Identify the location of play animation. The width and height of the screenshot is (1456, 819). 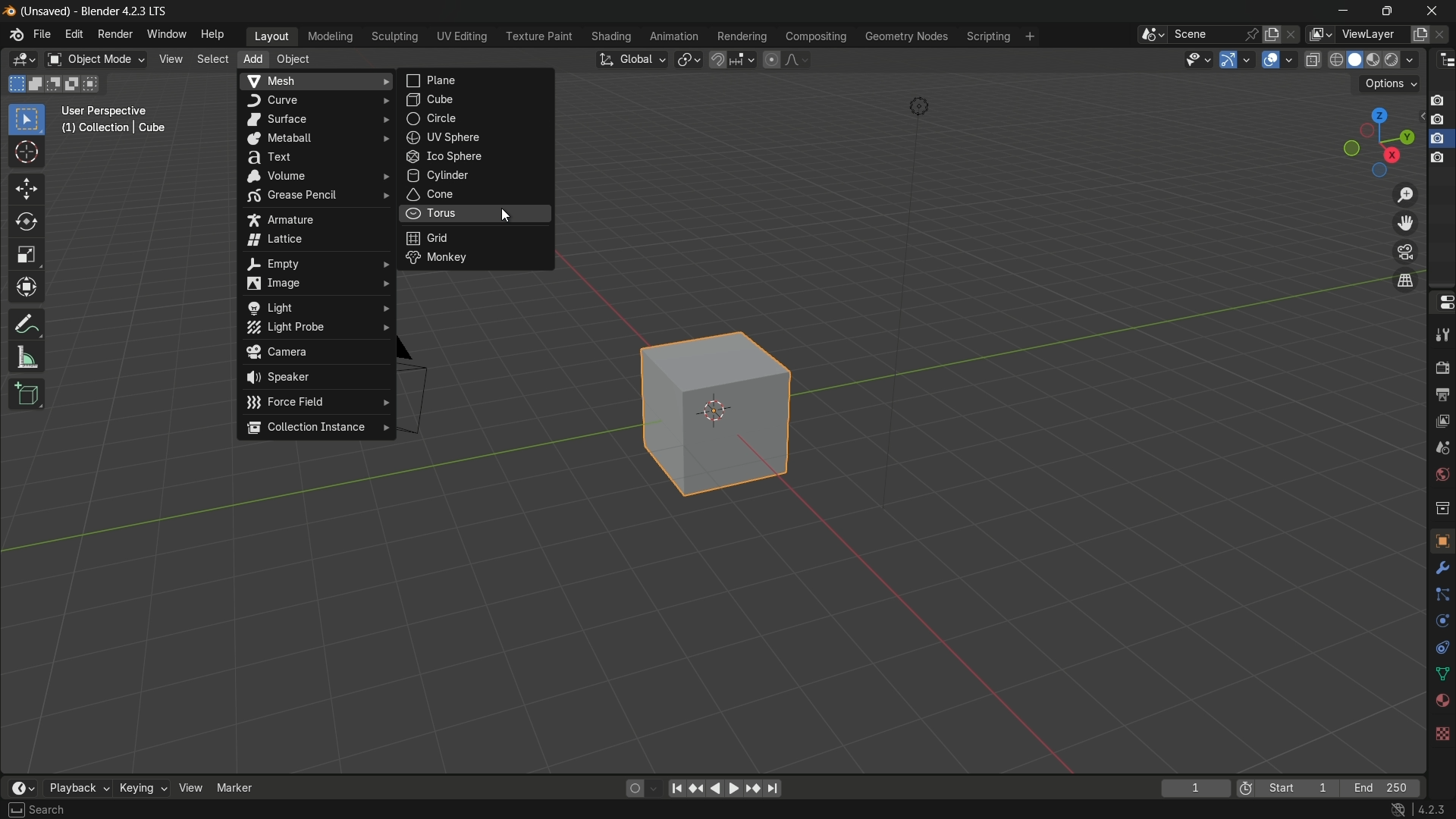
(725, 788).